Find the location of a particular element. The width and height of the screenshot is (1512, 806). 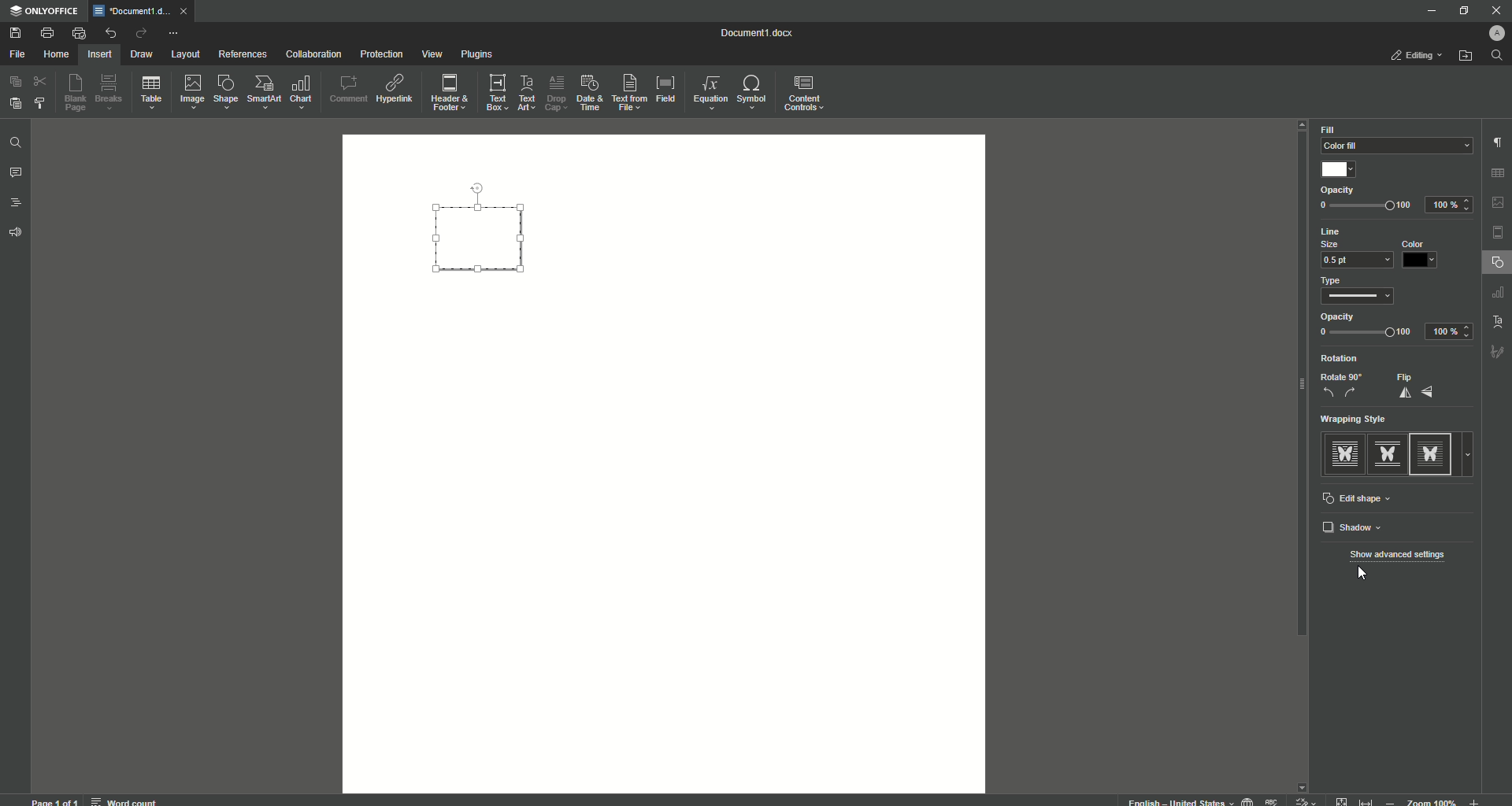

Scroll is located at coordinates (1299, 394).